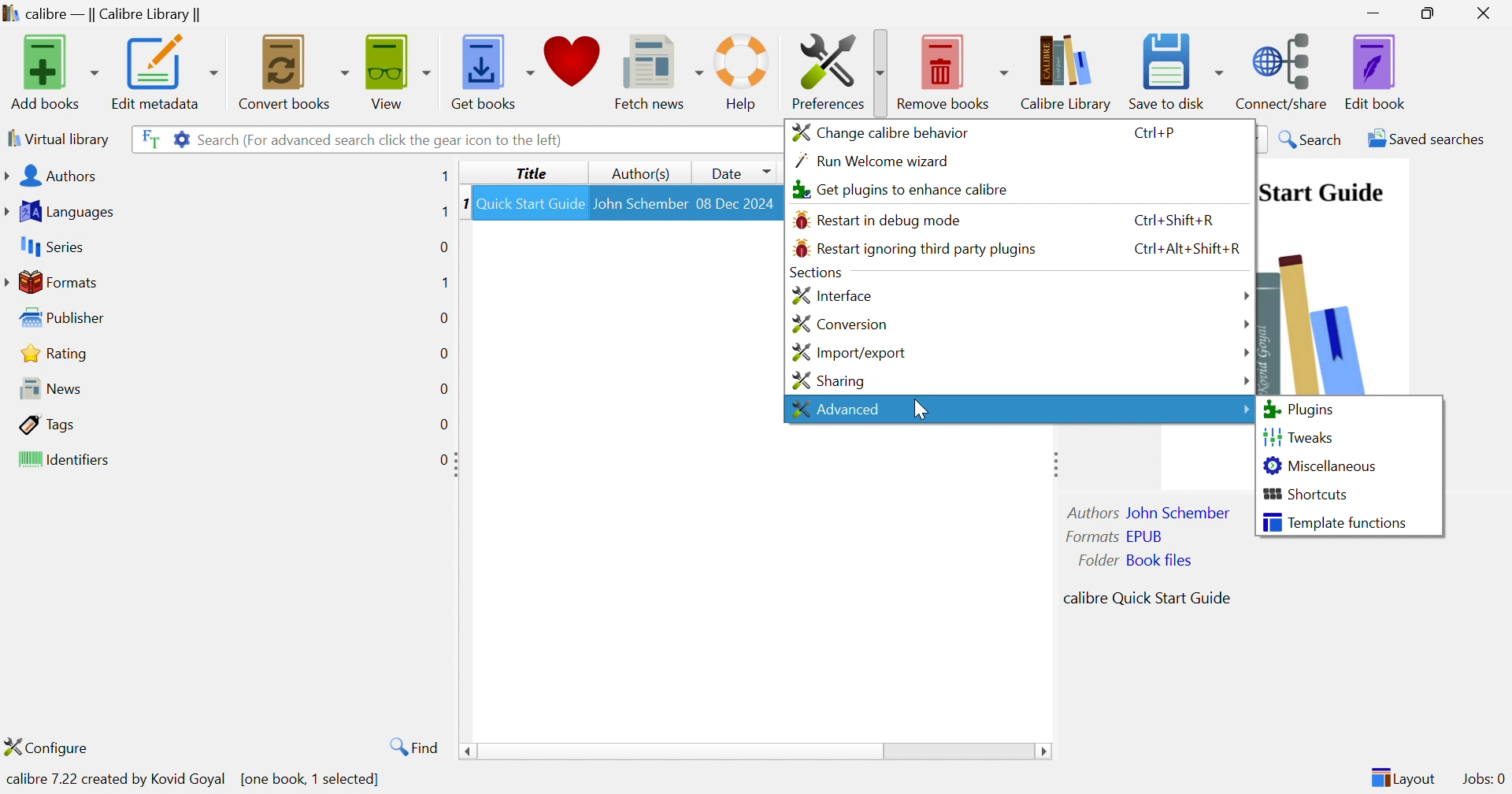  Describe the element at coordinates (878, 221) in the screenshot. I see `Restart in debug mode` at that location.